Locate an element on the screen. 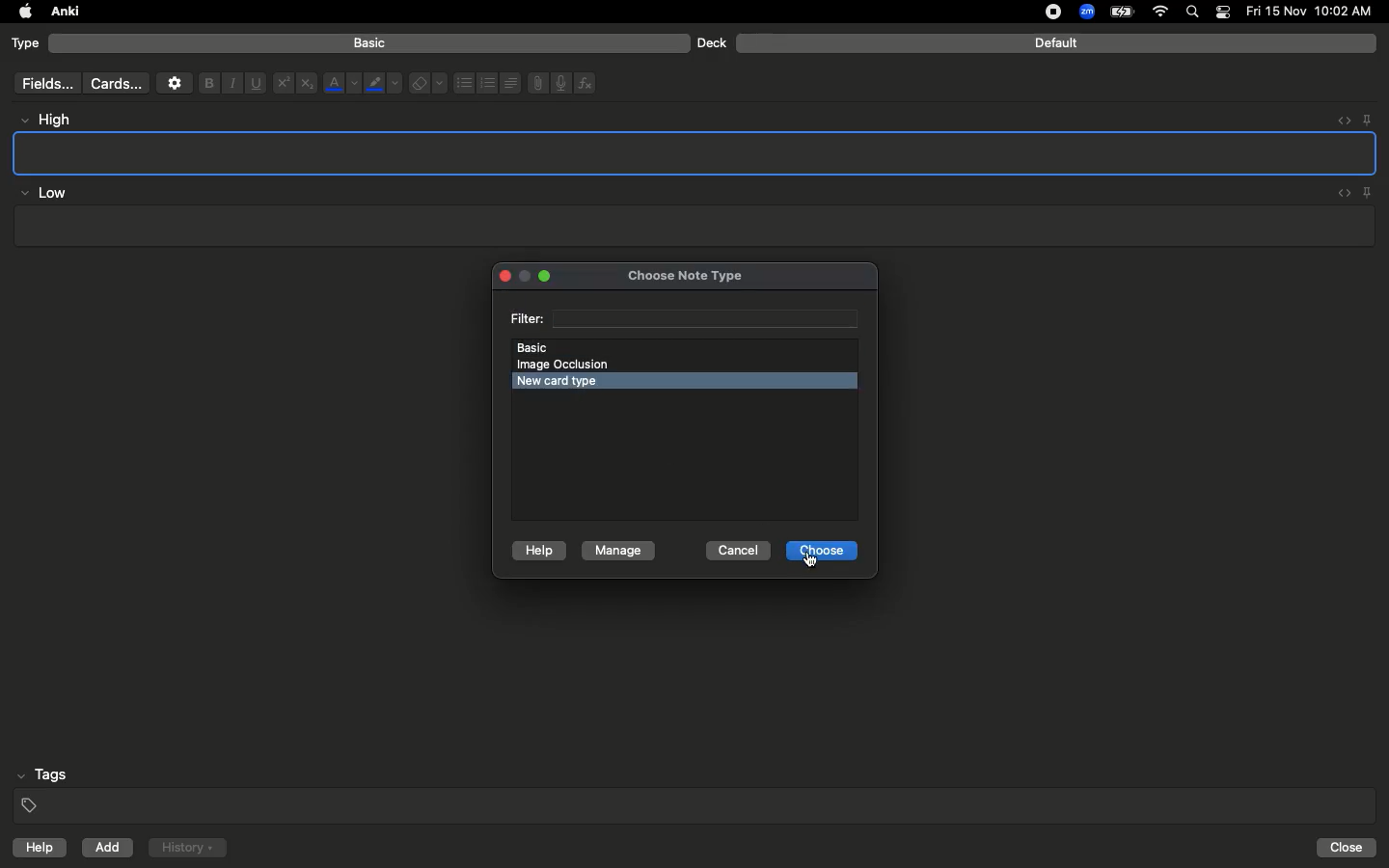 This screenshot has width=1389, height=868. close is located at coordinates (502, 278).